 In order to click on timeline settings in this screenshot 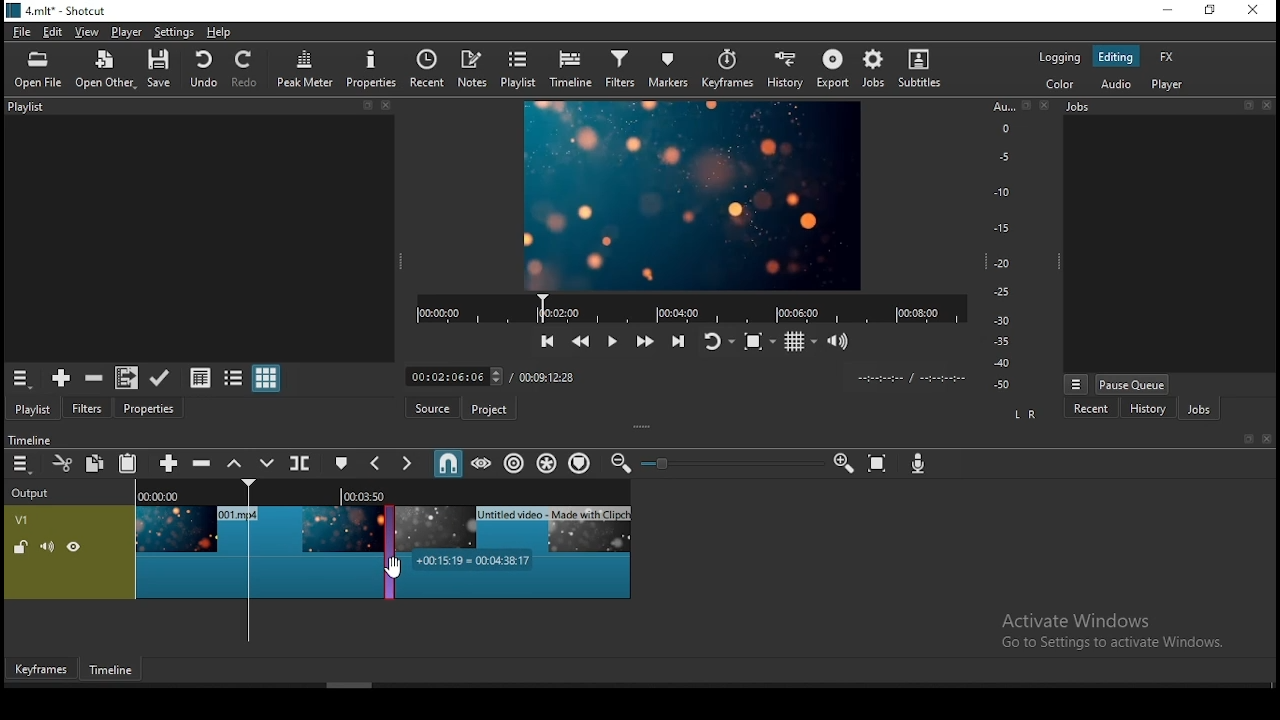, I will do `click(20, 465)`.